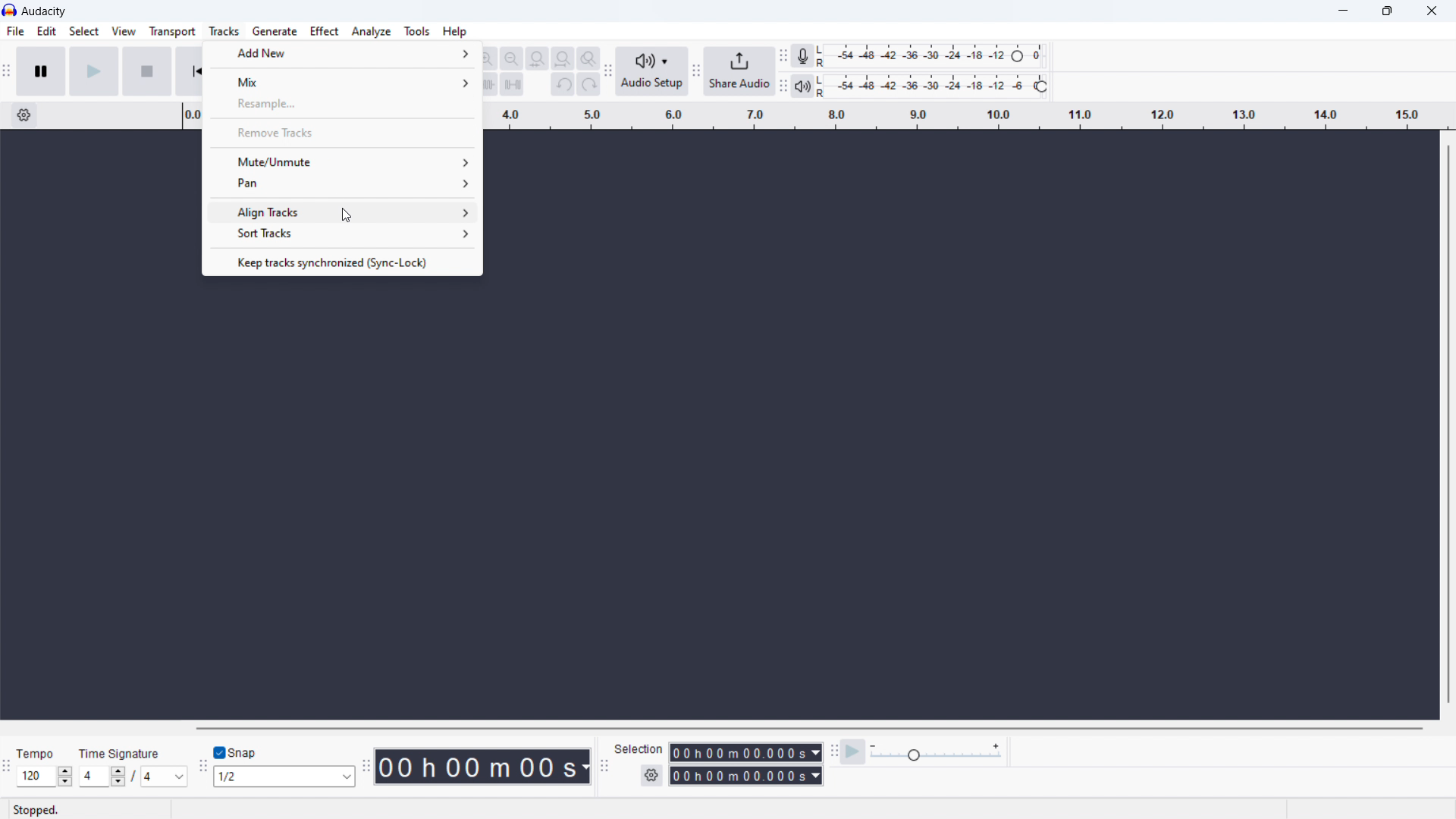  What do you see at coordinates (340, 184) in the screenshot?
I see `pan` at bounding box center [340, 184].